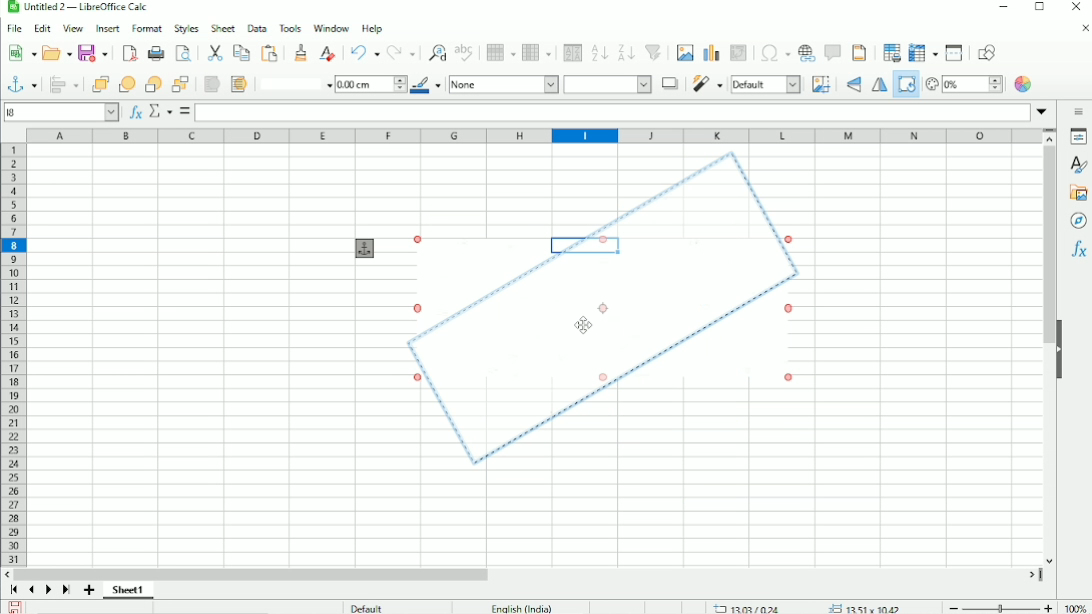  Describe the element at coordinates (365, 248) in the screenshot. I see `Anchor` at that location.